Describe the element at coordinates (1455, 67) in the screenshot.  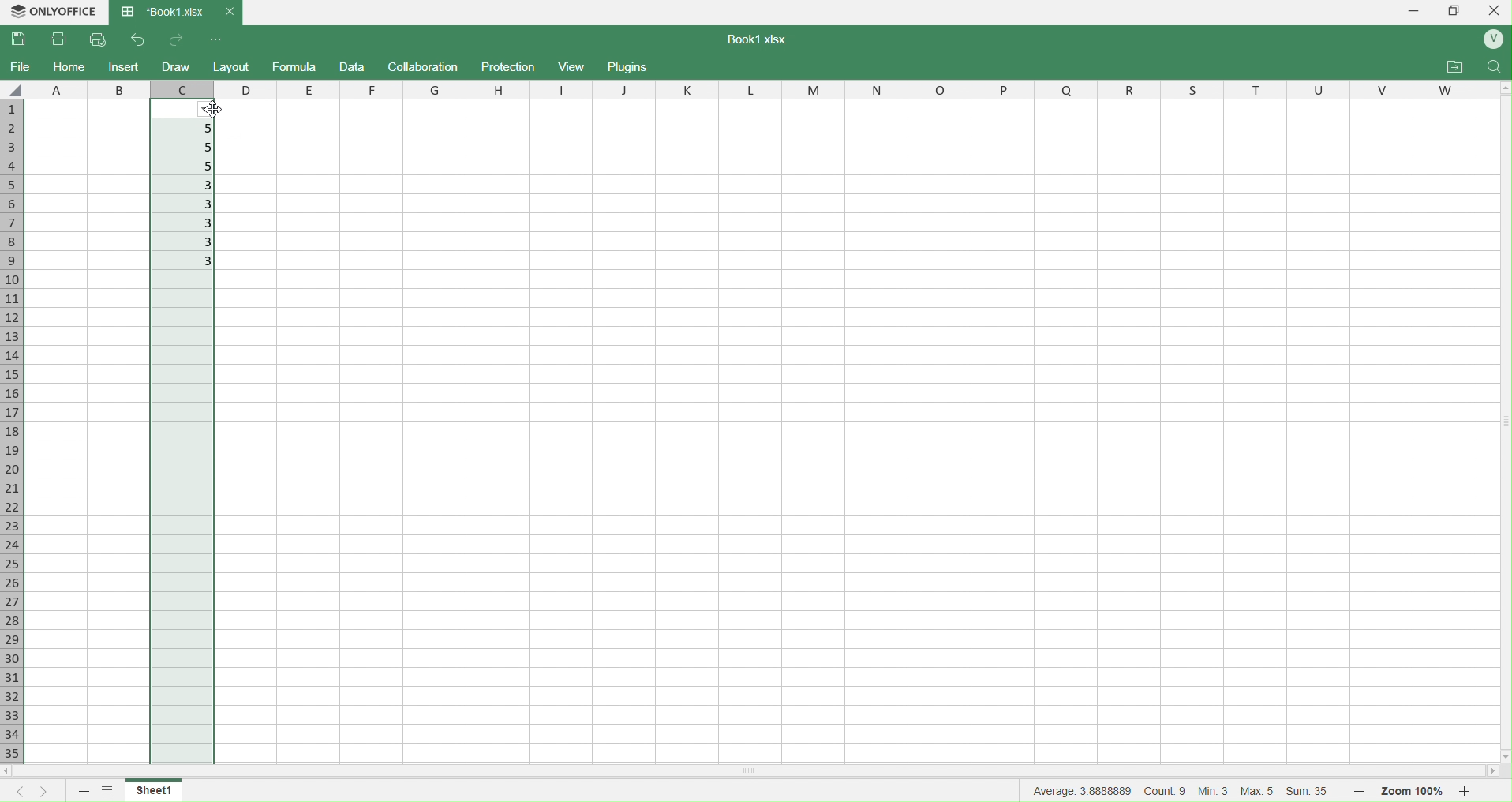
I see `Open File location` at that location.